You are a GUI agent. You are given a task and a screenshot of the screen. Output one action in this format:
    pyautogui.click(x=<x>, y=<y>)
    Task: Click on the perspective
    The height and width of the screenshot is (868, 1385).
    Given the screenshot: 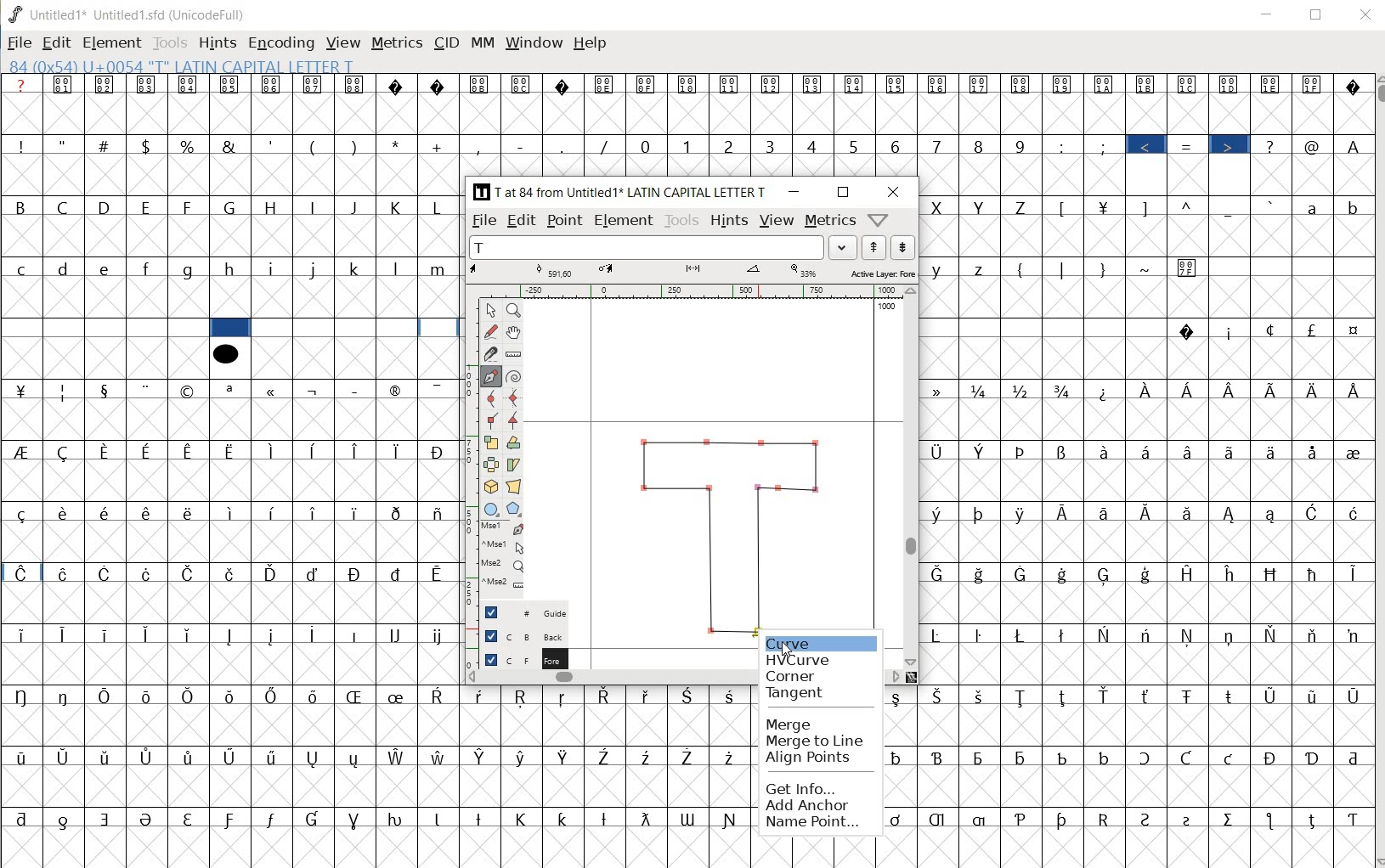 What is the action you would take?
    pyautogui.click(x=514, y=488)
    